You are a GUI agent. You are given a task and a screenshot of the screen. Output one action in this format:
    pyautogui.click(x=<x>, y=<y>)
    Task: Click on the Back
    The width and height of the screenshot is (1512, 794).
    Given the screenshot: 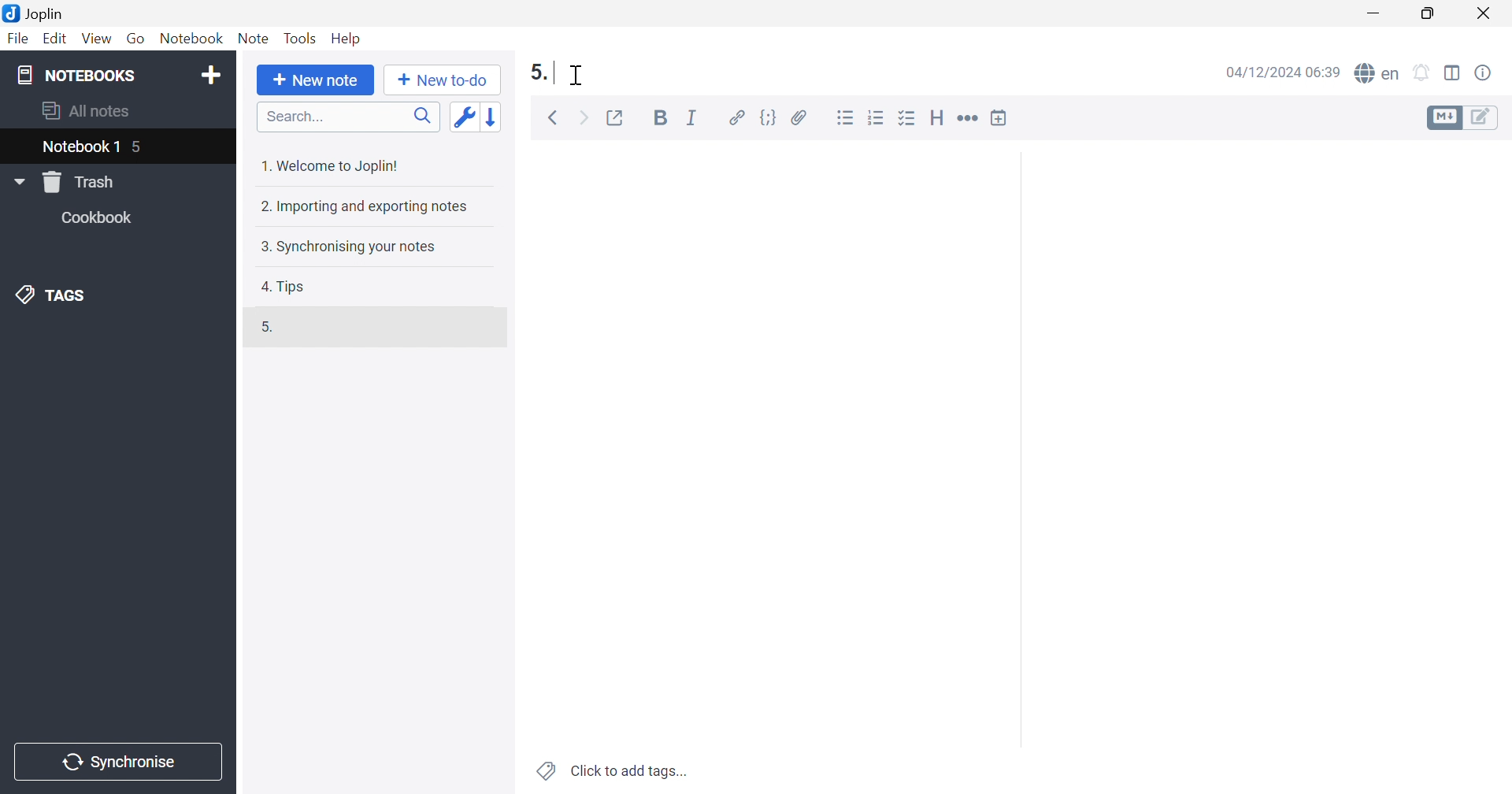 What is the action you would take?
    pyautogui.click(x=551, y=118)
    